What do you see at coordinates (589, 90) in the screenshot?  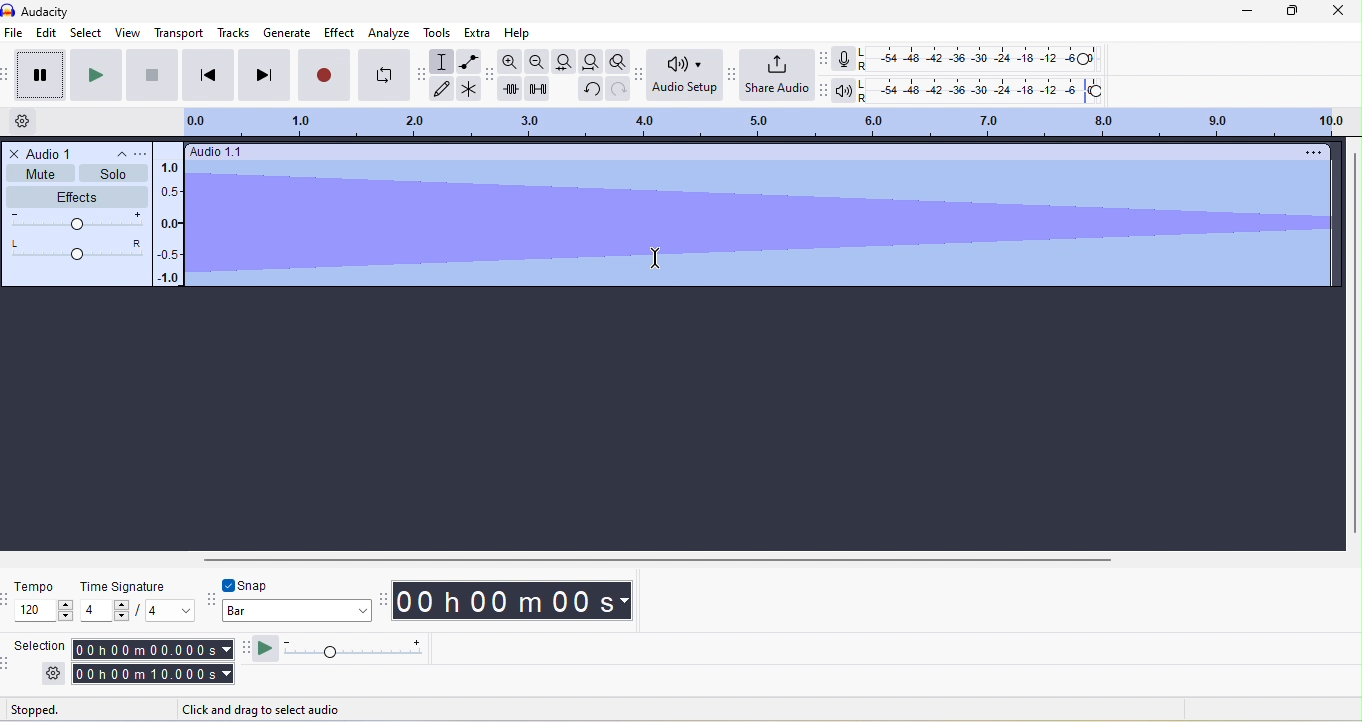 I see `undo` at bounding box center [589, 90].